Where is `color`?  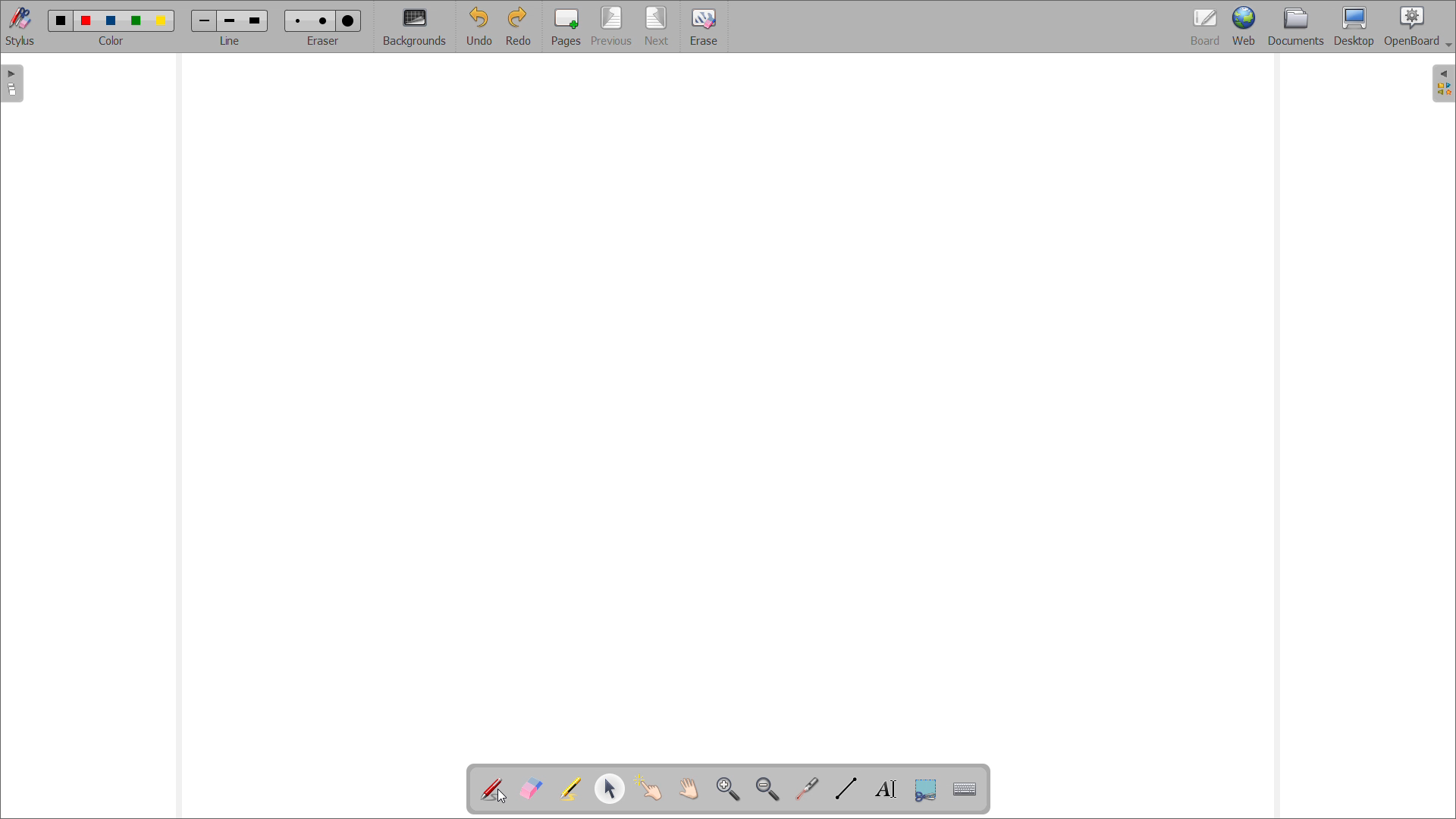
color is located at coordinates (138, 21).